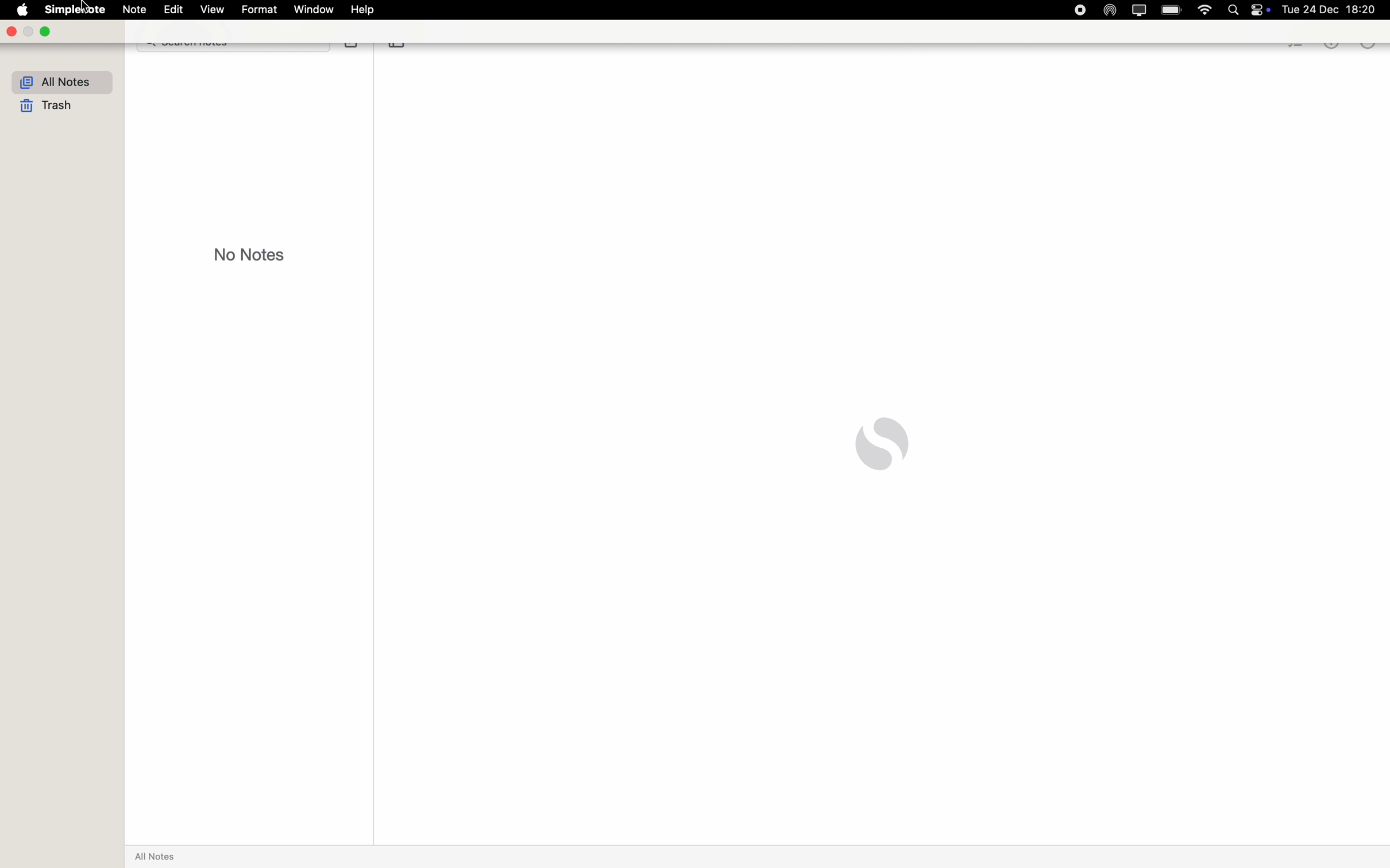 The width and height of the screenshot is (1390, 868). I want to click on screen button, so click(1137, 9).